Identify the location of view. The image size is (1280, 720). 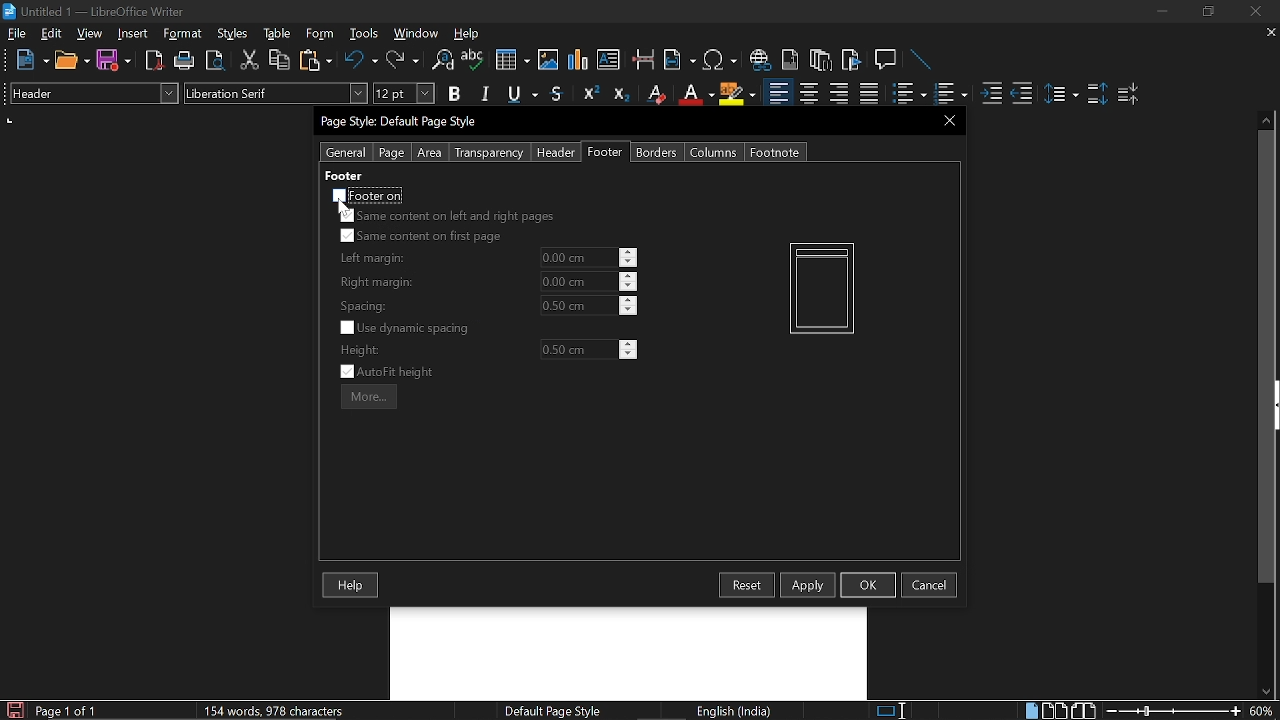
(90, 33).